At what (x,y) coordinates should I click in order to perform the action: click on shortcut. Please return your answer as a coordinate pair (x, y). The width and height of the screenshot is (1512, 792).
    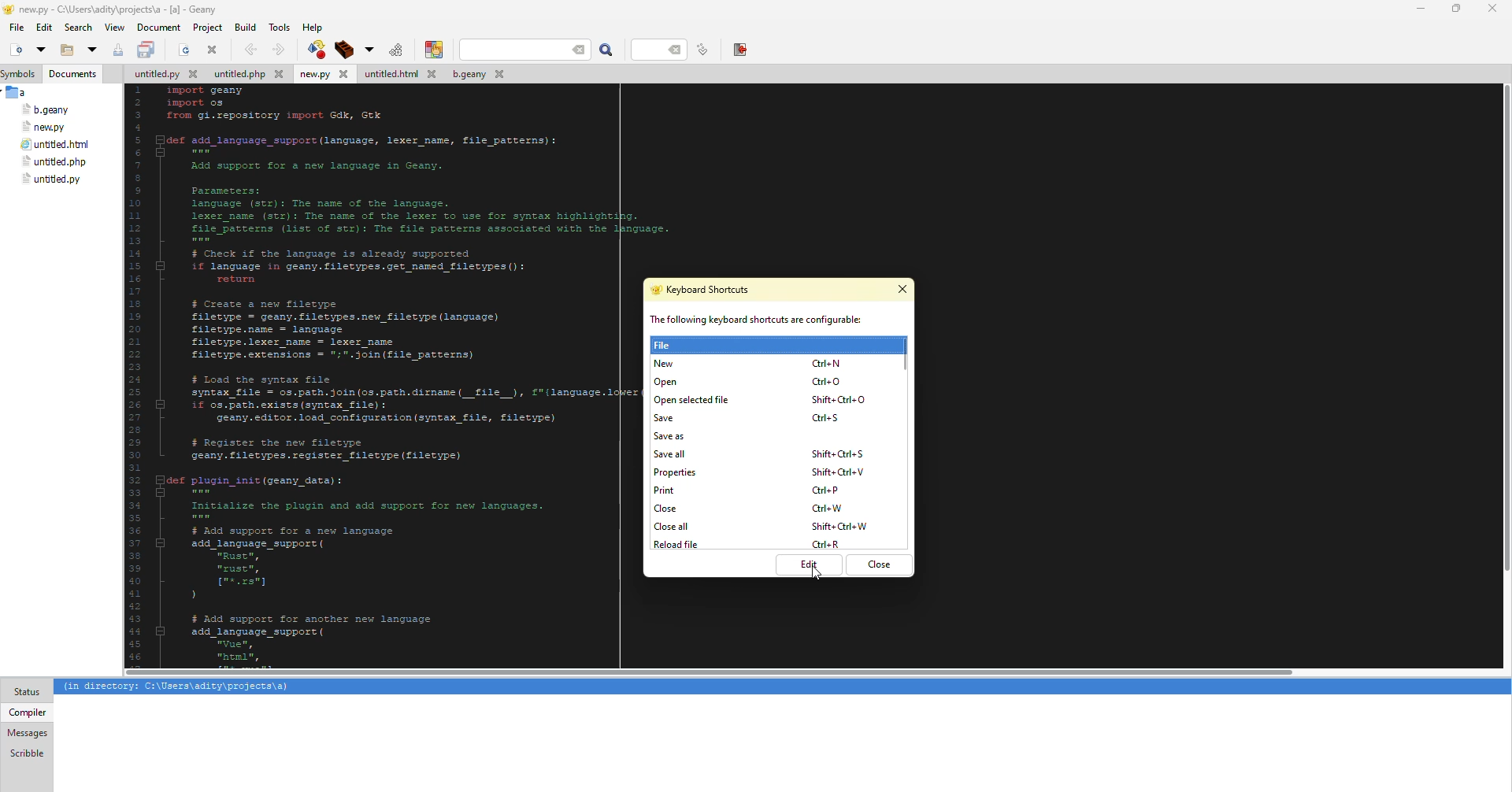
    Looking at the image, I should click on (827, 419).